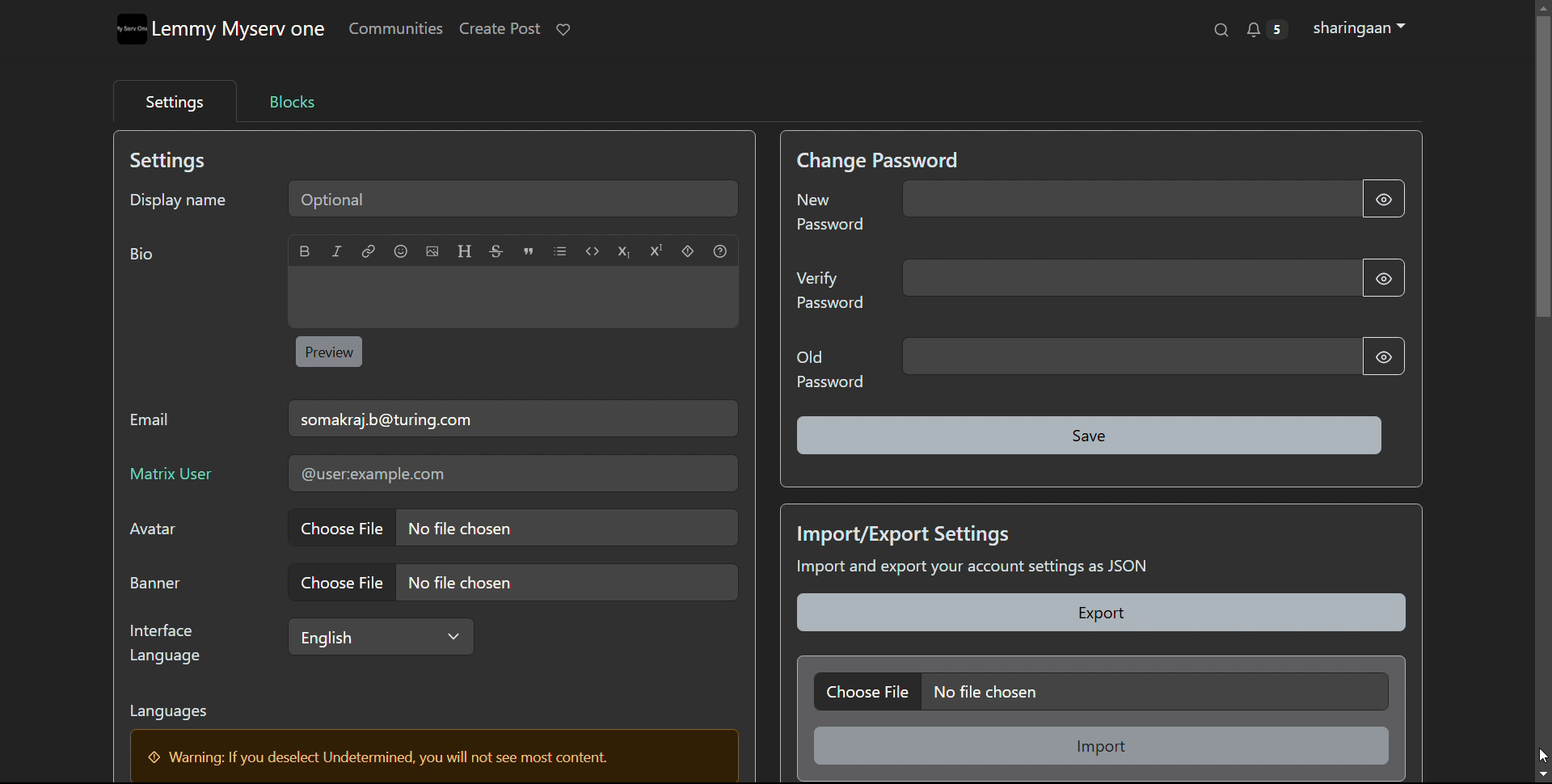 The image size is (1552, 784). I want to click on save, so click(1089, 435).